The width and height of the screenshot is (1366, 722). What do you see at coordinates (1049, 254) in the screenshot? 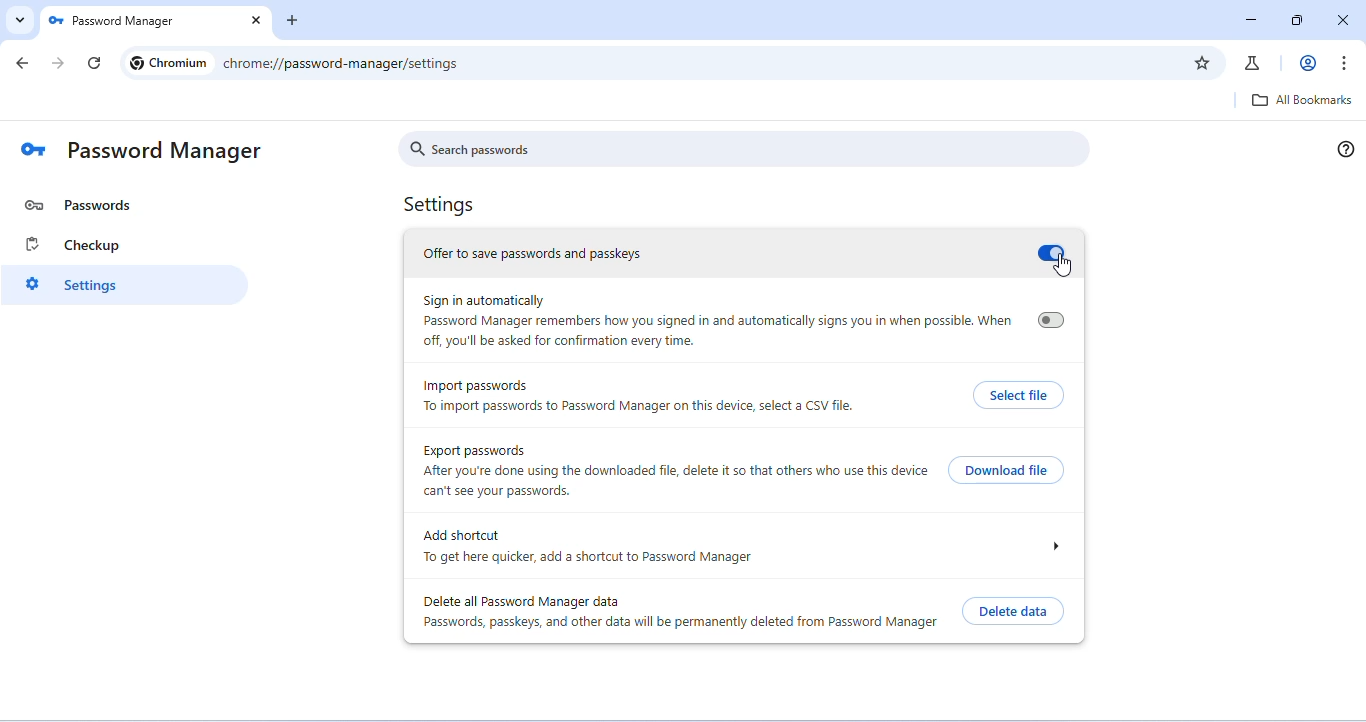
I see `turn on/ off save password` at bounding box center [1049, 254].